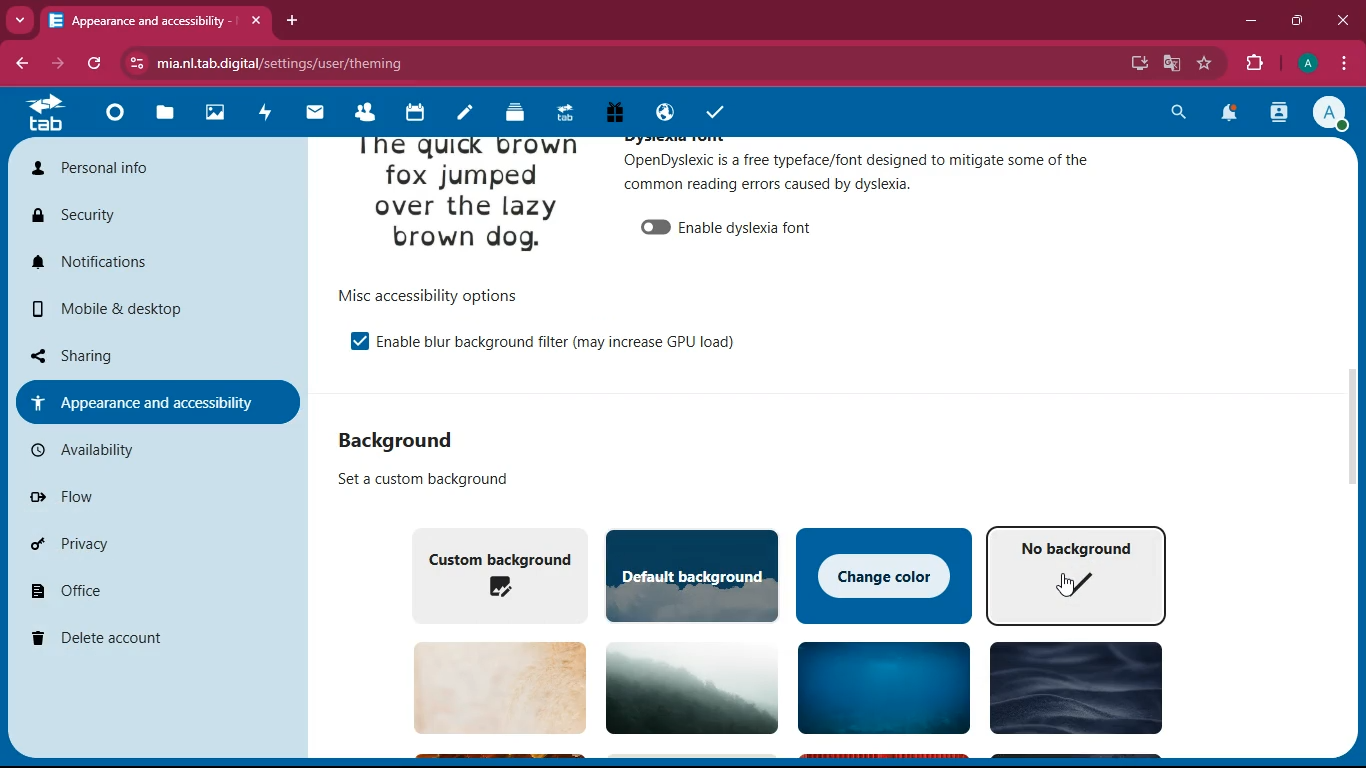 The width and height of the screenshot is (1366, 768). What do you see at coordinates (468, 201) in the screenshot?
I see `image` at bounding box center [468, 201].